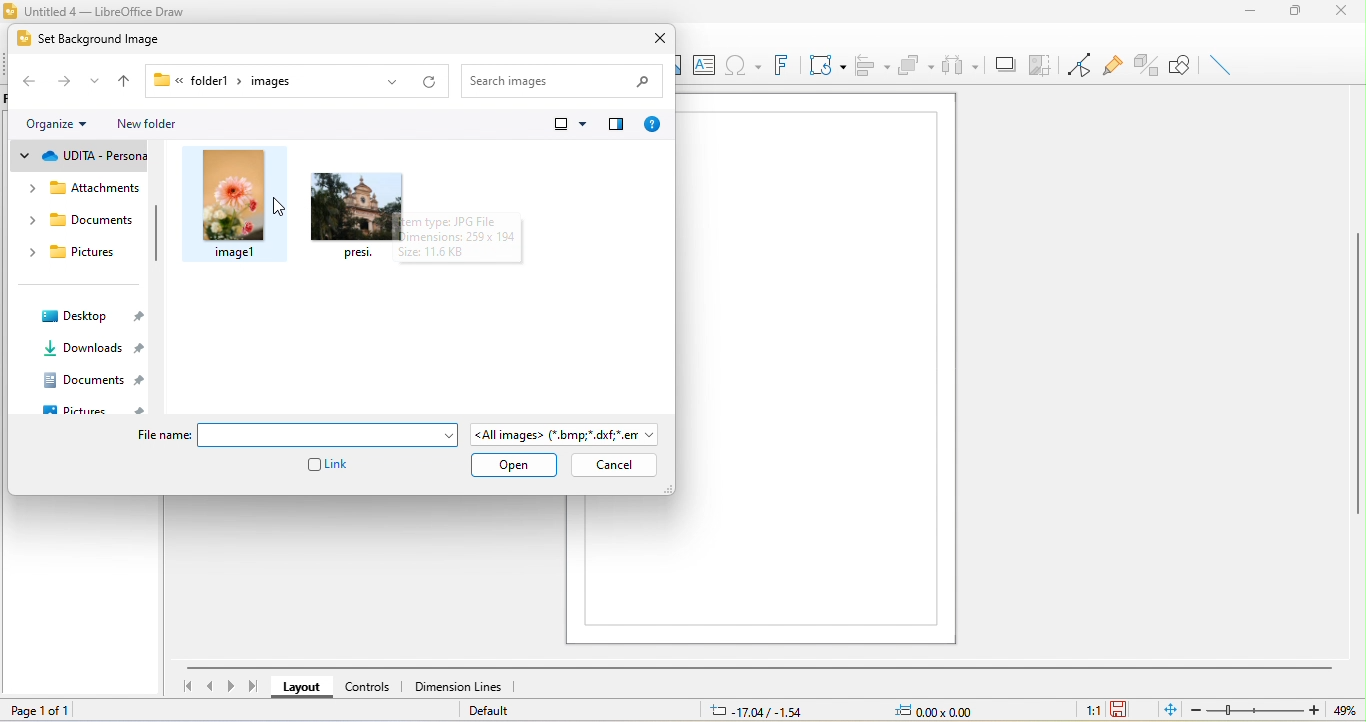 The height and width of the screenshot is (722, 1366). I want to click on udita personal, so click(87, 157).